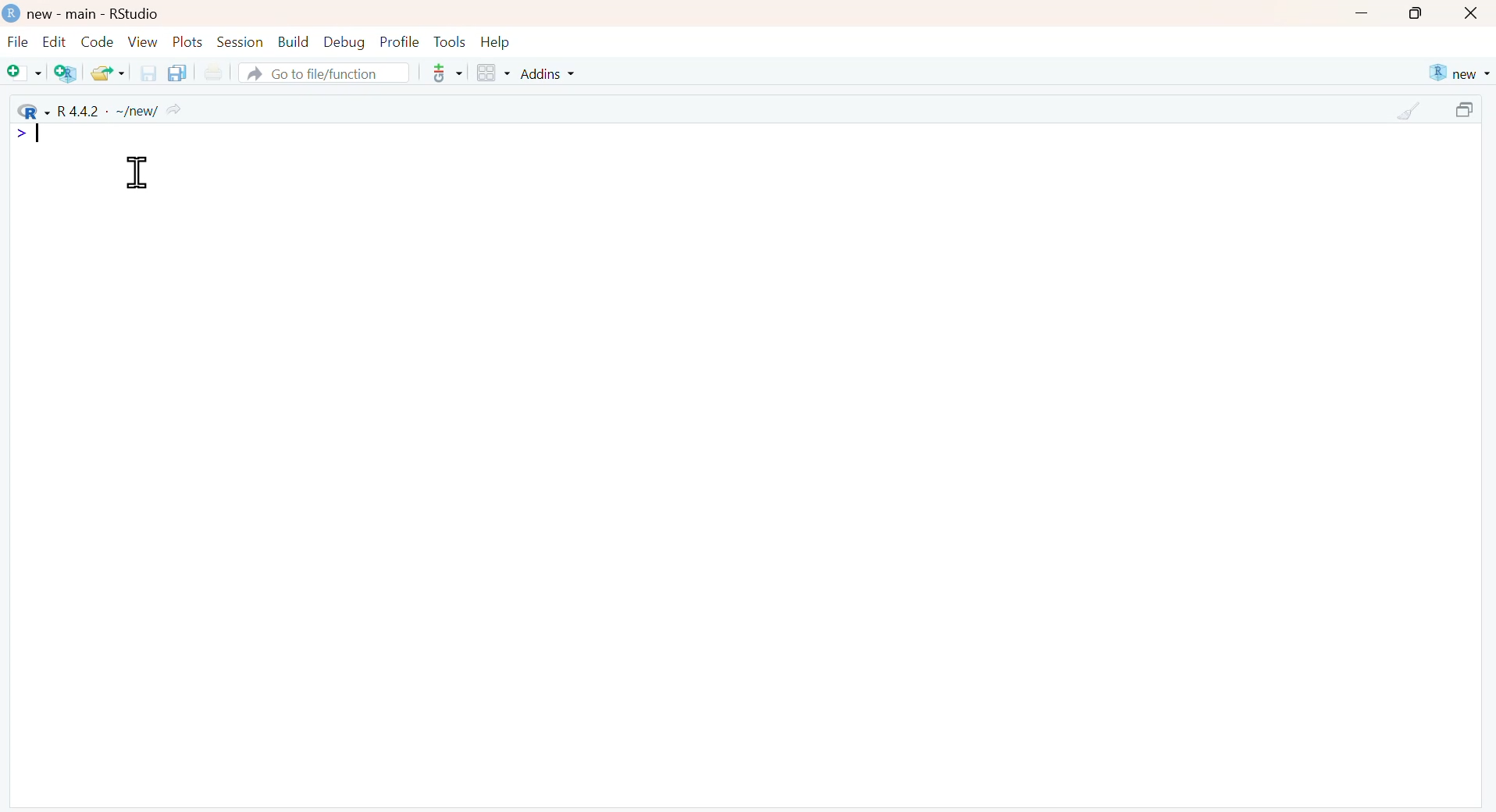  I want to click on clear console, so click(1410, 112).